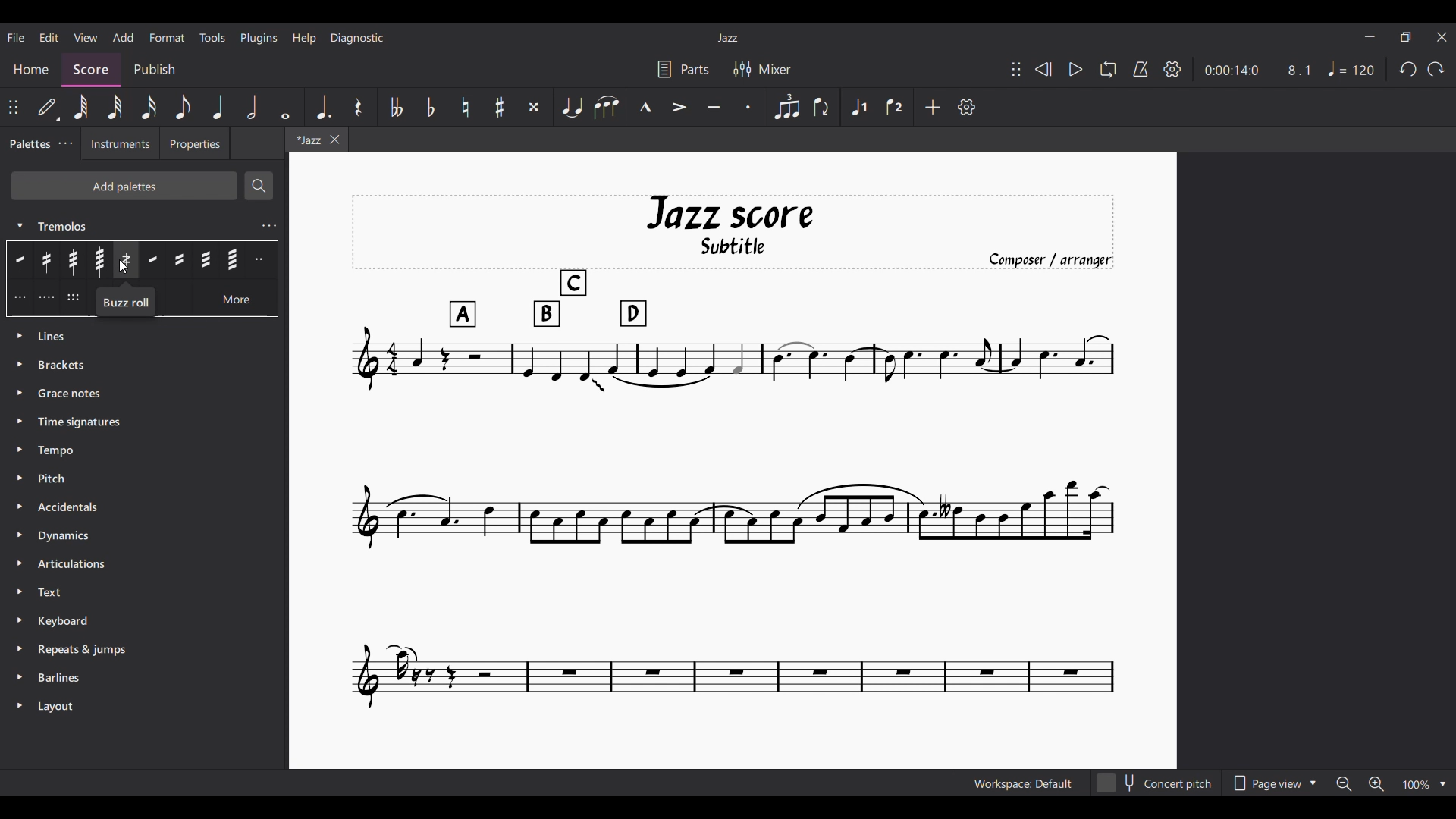 This screenshot has width=1456, height=819. What do you see at coordinates (259, 186) in the screenshot?
I see `Search` at bounding box center [259, 186].